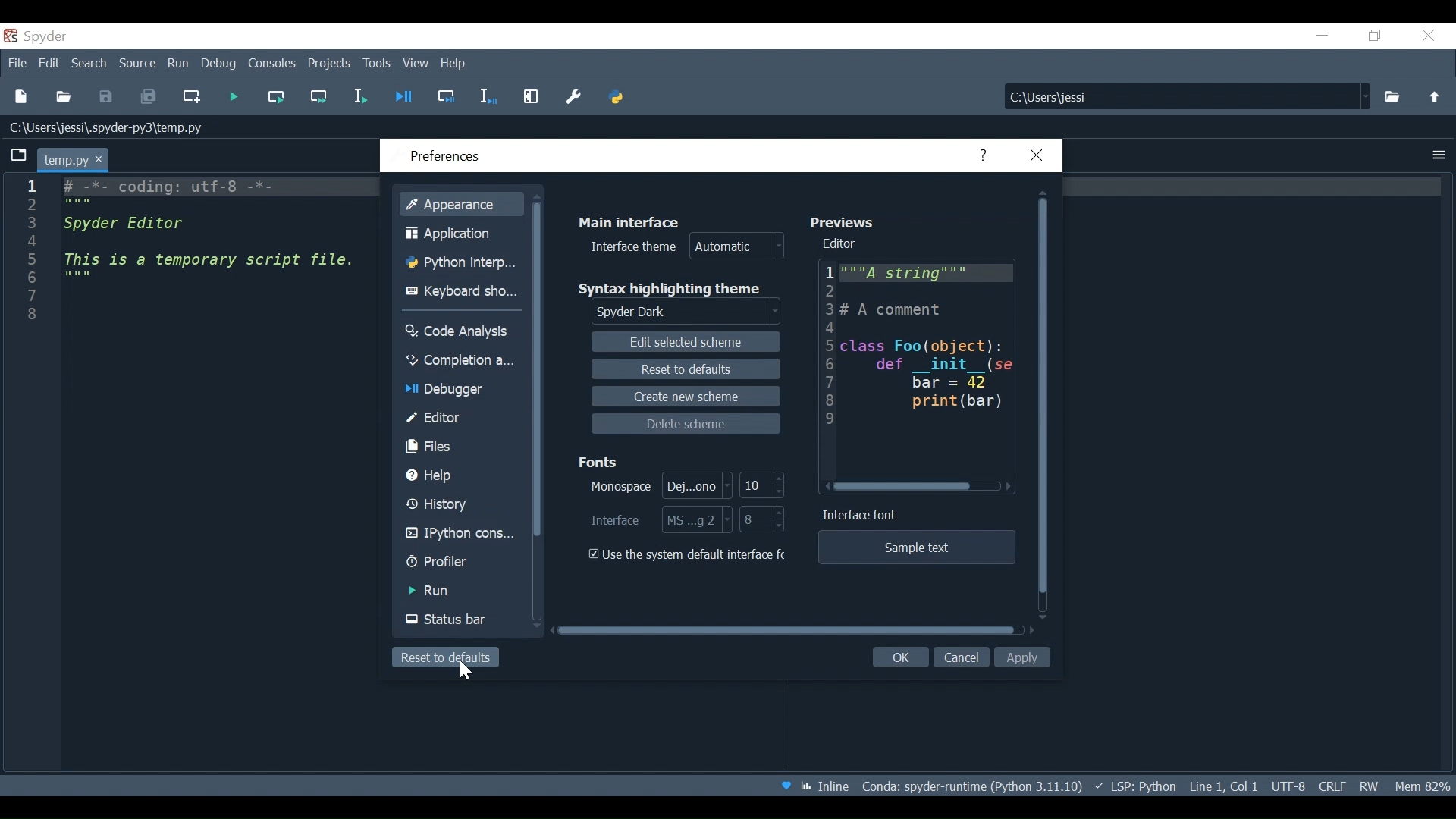 This screenshot has height=819, width=1456. I want to click on Minimize, so click(1322, 36).